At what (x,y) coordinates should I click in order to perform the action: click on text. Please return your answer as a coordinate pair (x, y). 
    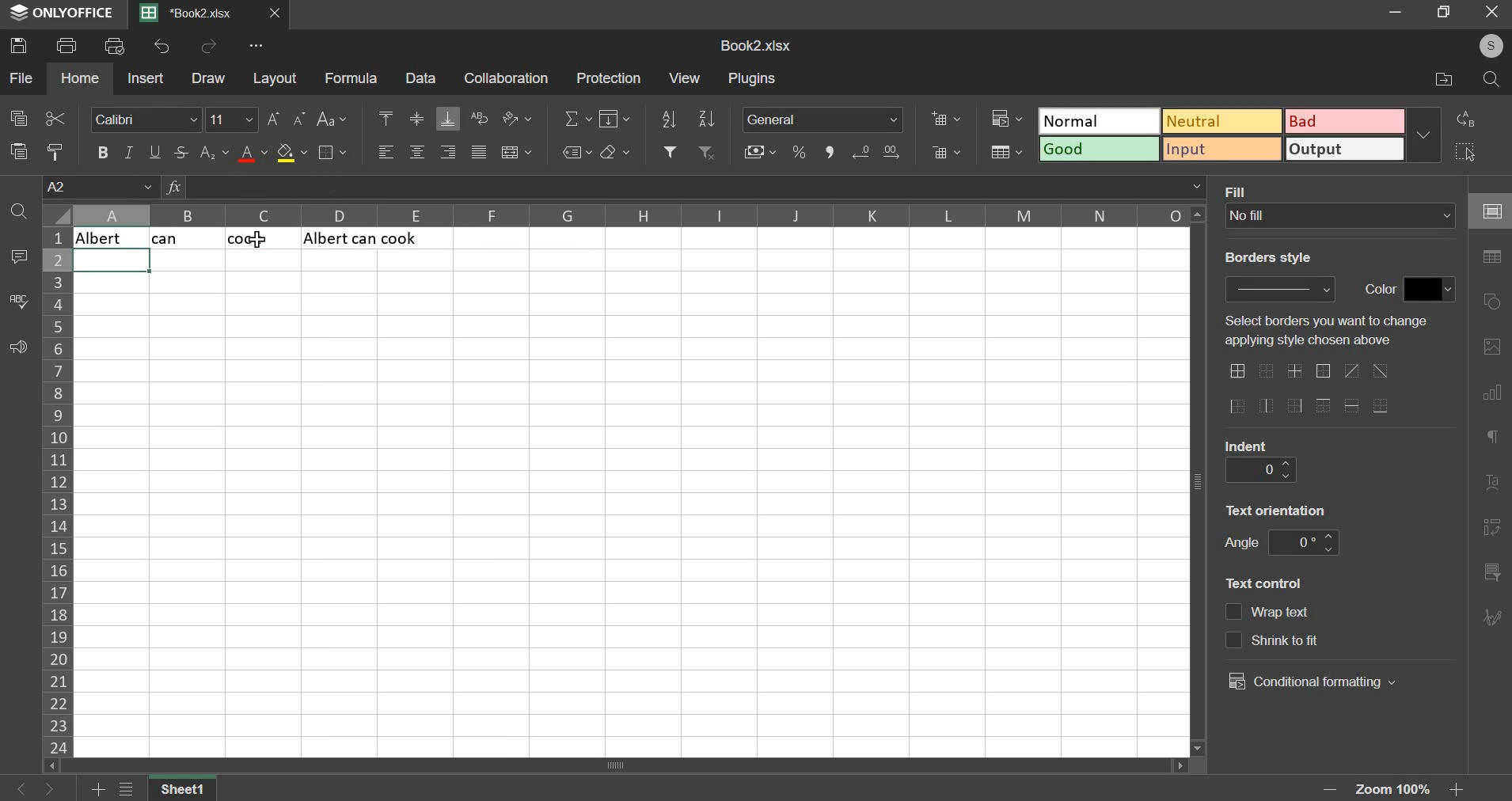
    Looking at the image, I should click on (1287, 643).